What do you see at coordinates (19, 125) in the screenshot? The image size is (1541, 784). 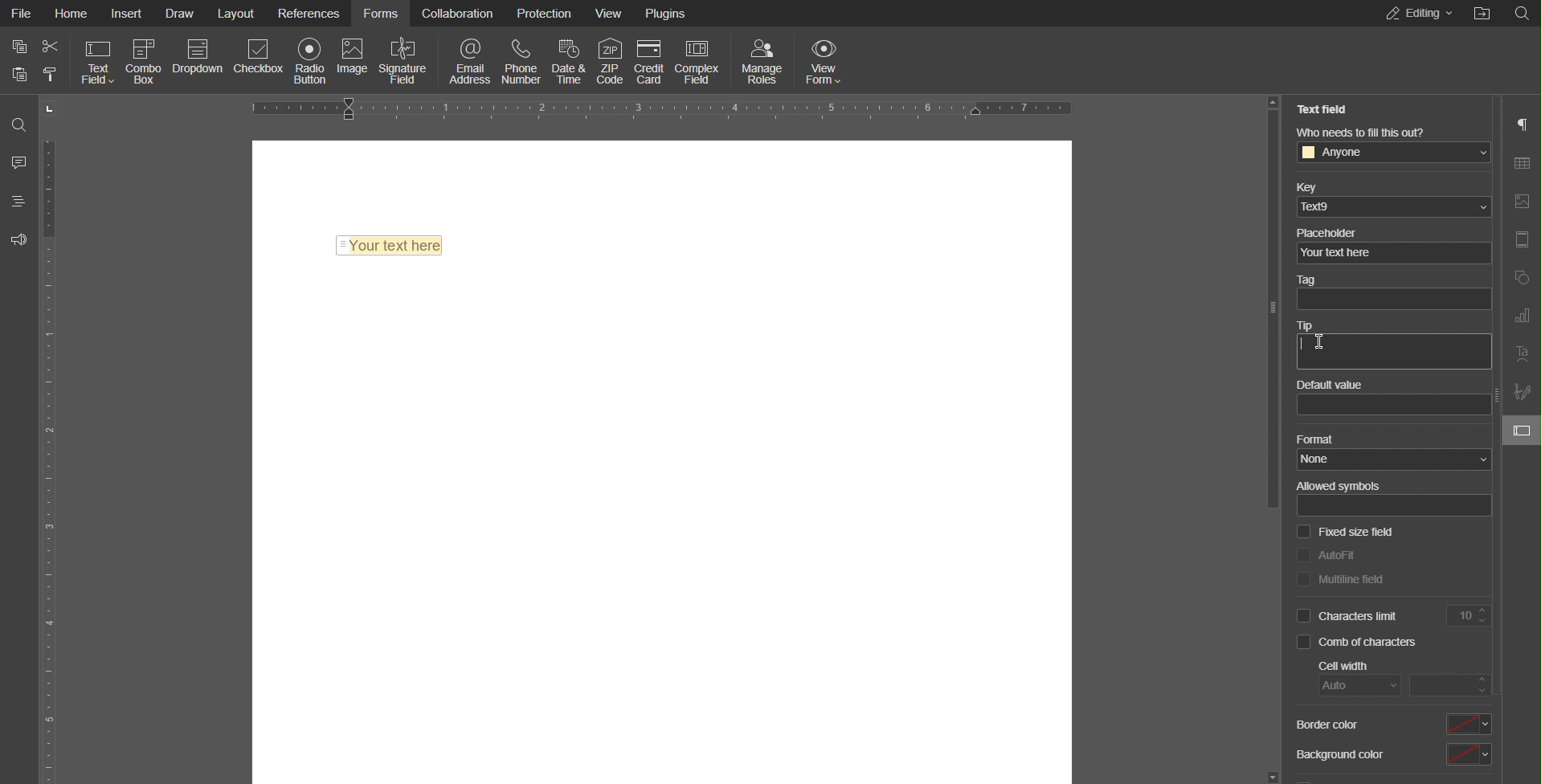 I see `Search` at bounding box center [19, 125].